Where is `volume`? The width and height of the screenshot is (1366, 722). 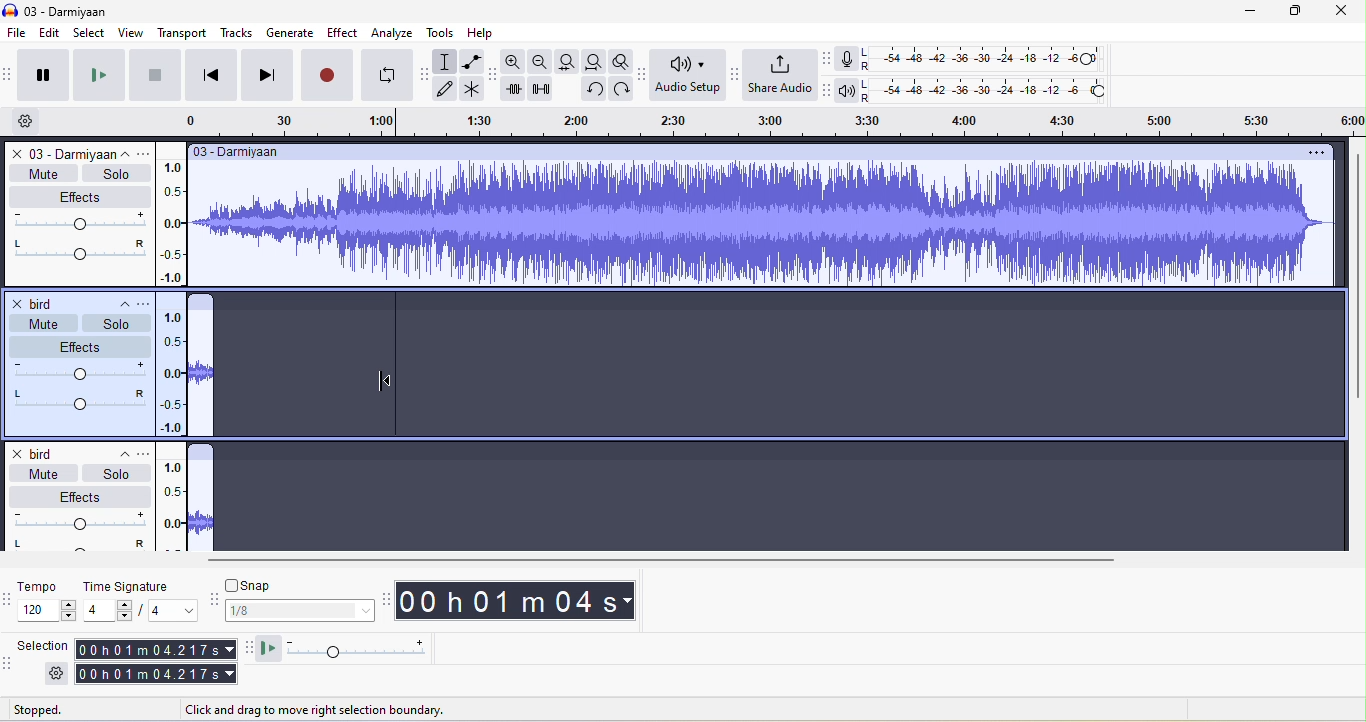
volume is located at coordinates (79, 222).